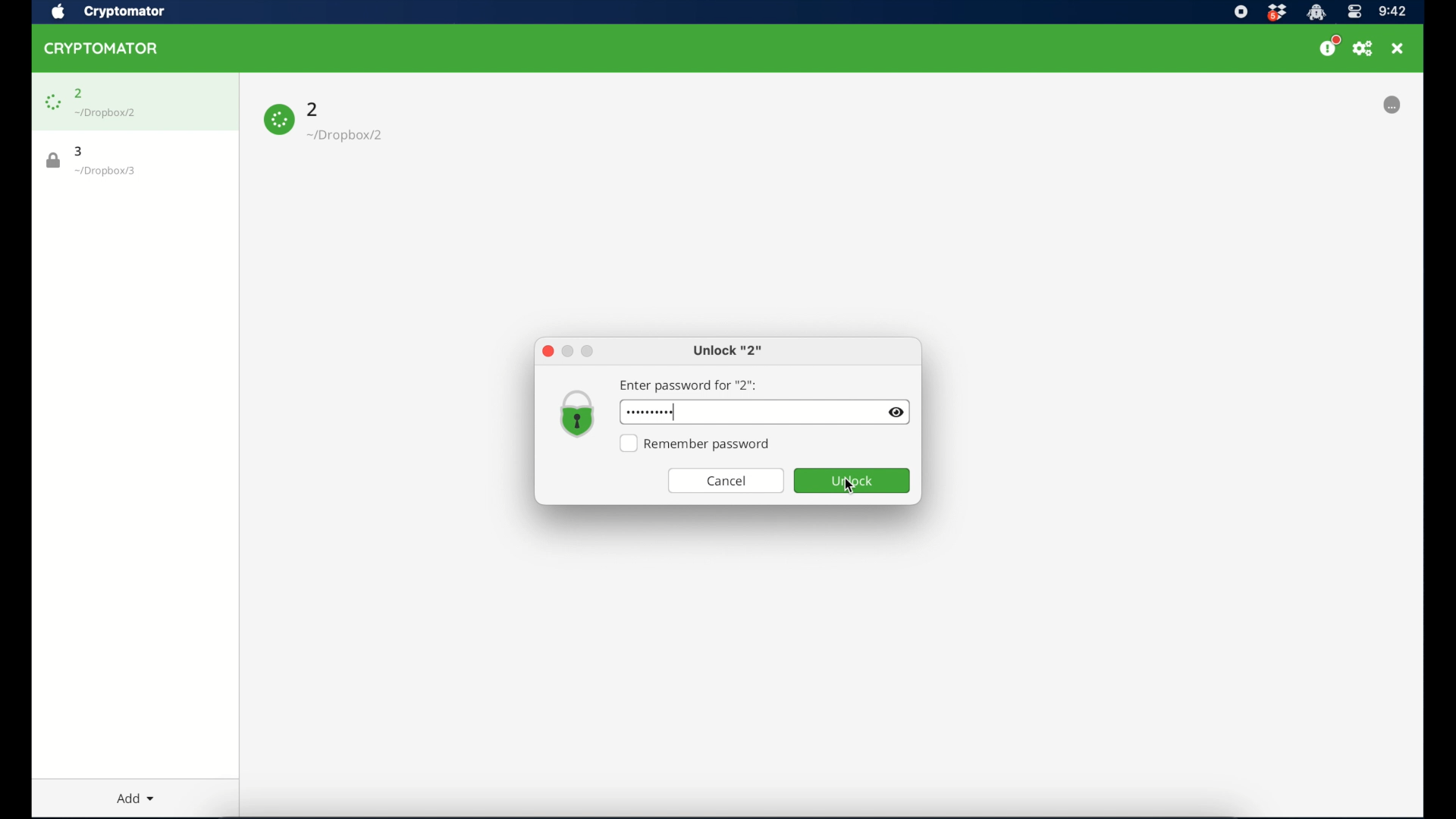  Describe the element at coordinates (130, 795) in the screenshot. I see `add dropdown` at that location.